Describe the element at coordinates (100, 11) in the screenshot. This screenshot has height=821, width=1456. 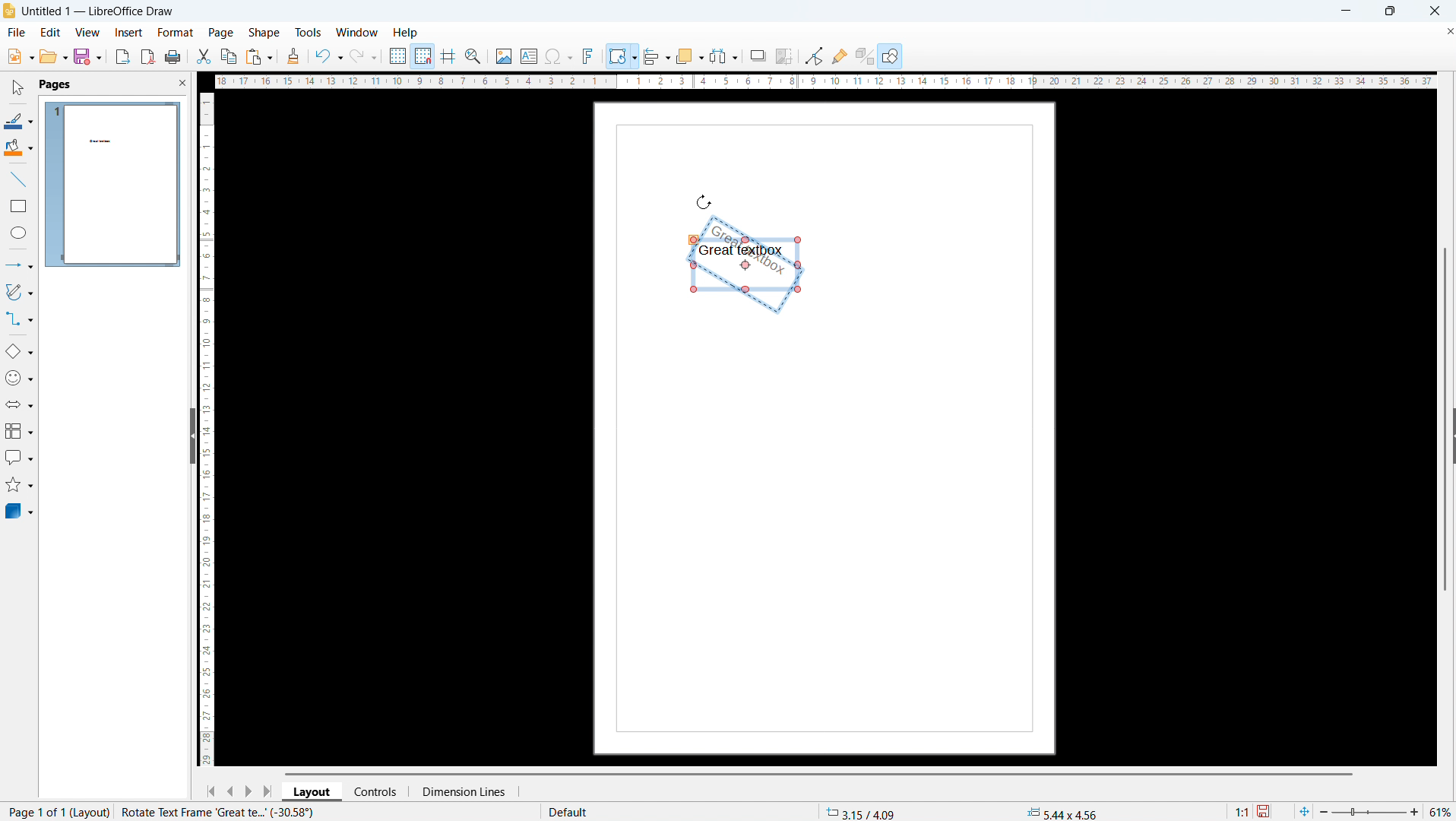
I see `document title` at that location.